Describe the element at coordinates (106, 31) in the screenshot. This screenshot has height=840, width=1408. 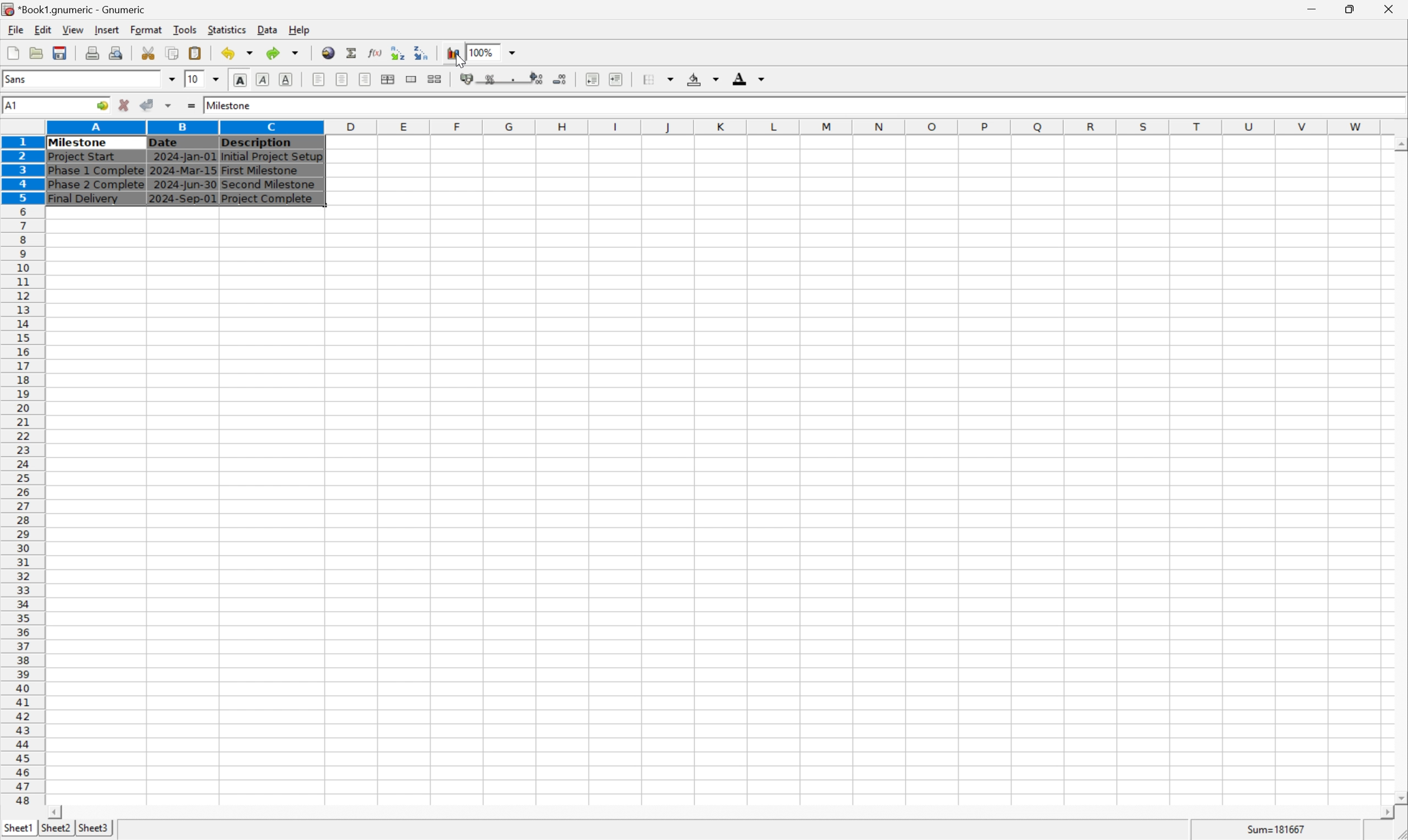
I see `insert` at that location.